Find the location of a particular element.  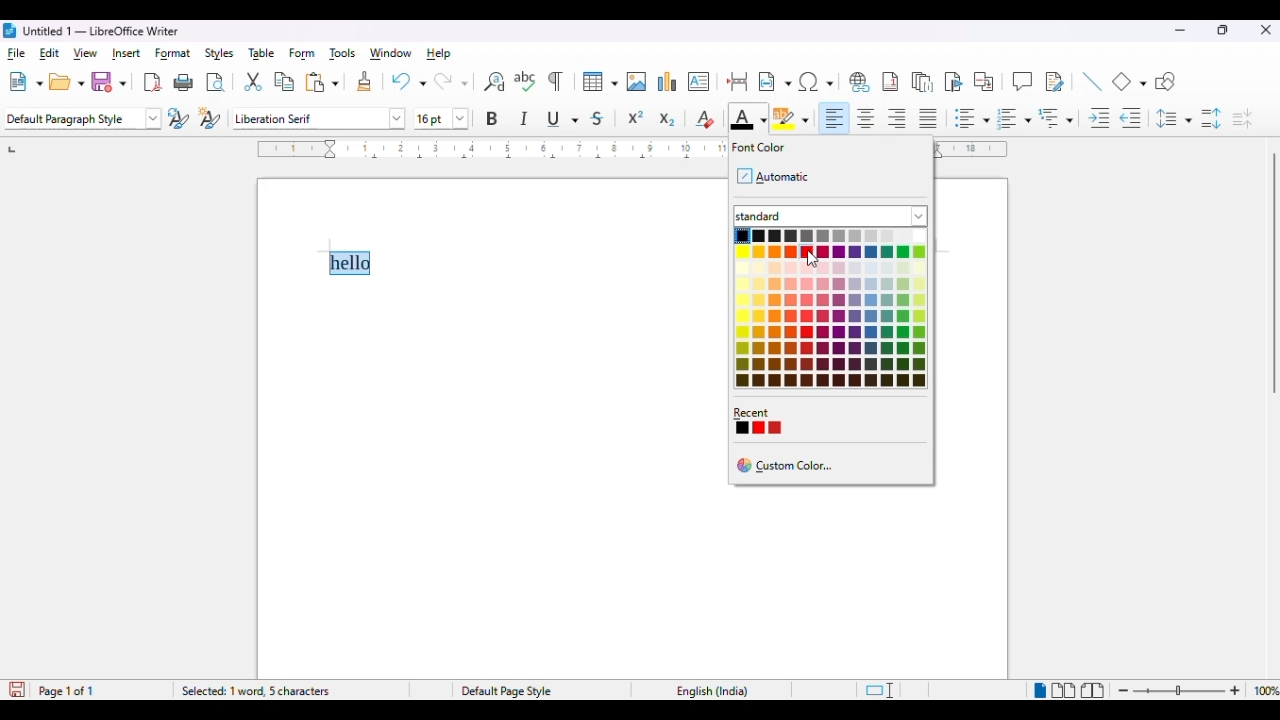

update selected style is located at coordinates (179, 118).